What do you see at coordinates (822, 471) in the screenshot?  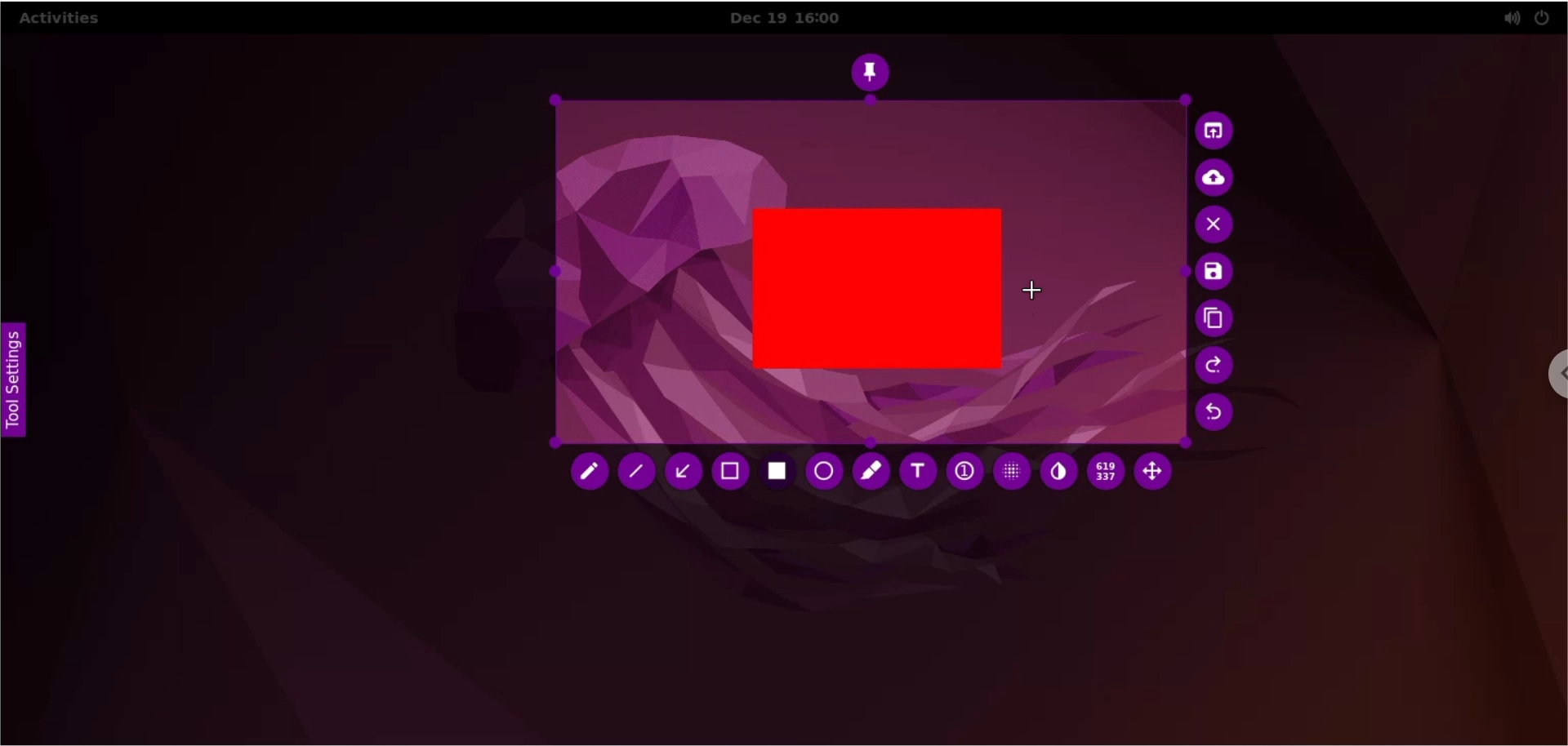 I see `ellipse` at bounding box center [822, 471].